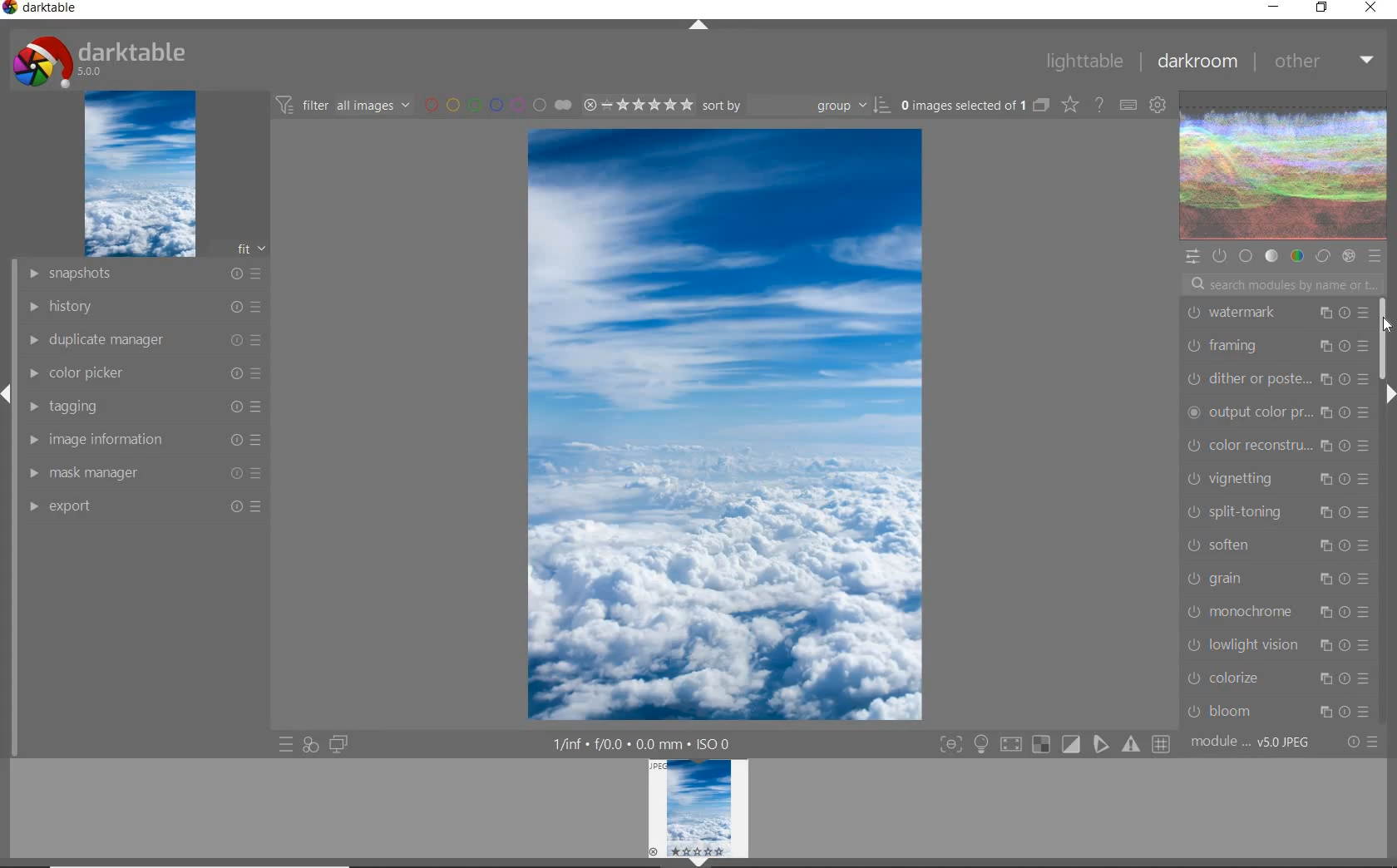  I want to click on COLOR RECONSTRUCTION, so click(1281, 446).